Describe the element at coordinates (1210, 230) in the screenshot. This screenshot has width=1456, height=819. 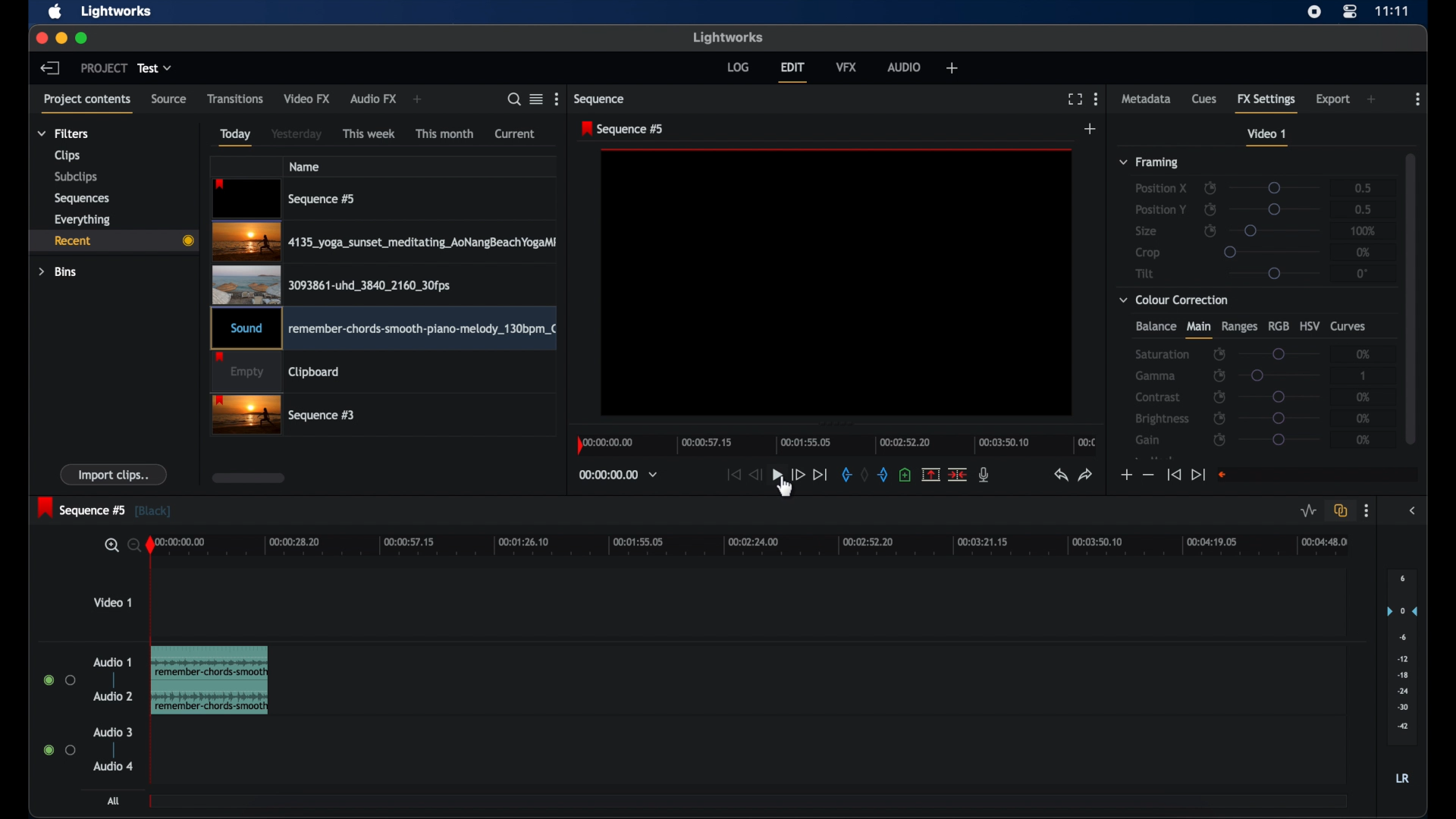
I see `enable/disable keyframe` at that location.